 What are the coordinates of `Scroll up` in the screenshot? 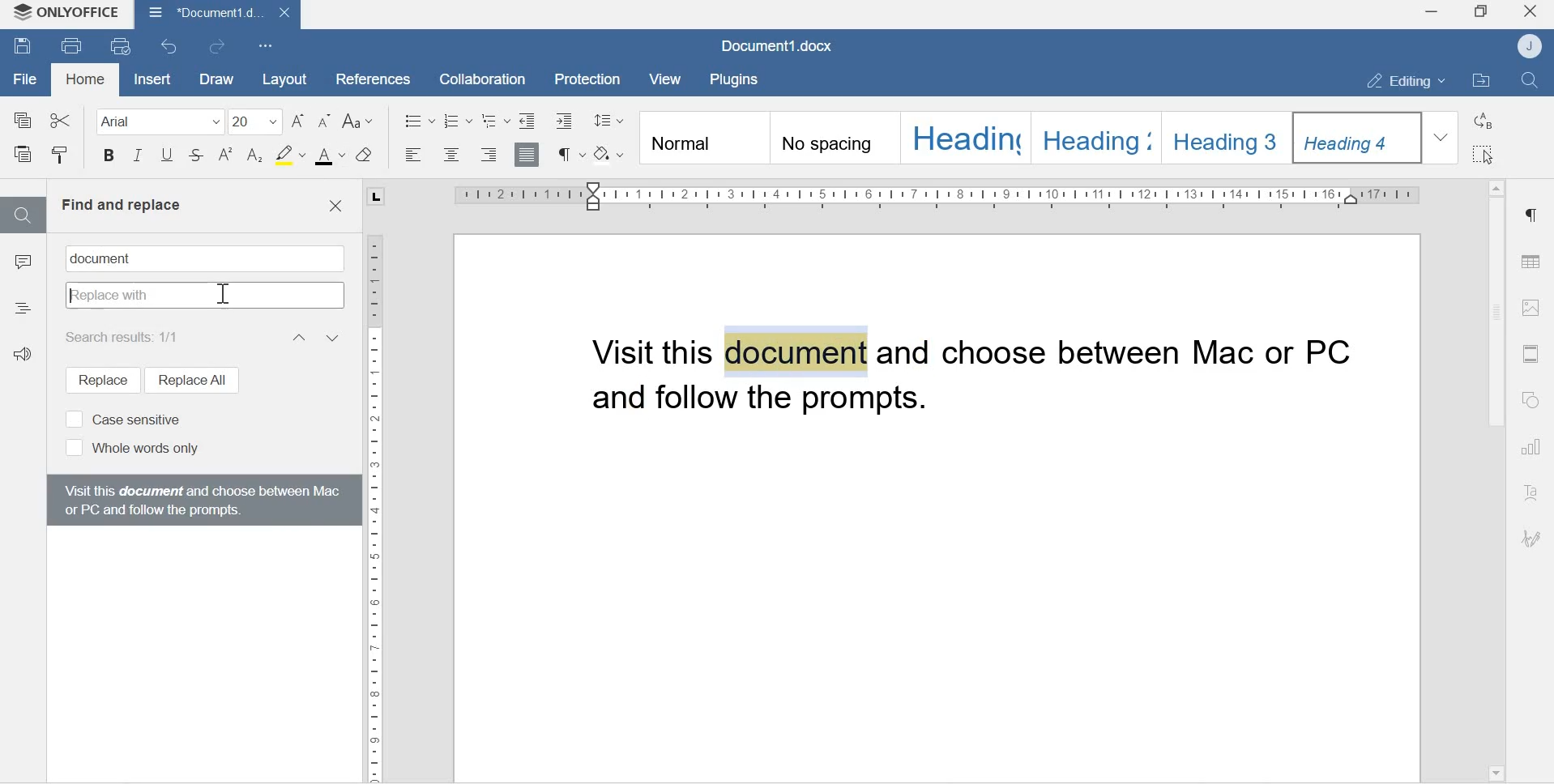 It's located at (1496, 184).